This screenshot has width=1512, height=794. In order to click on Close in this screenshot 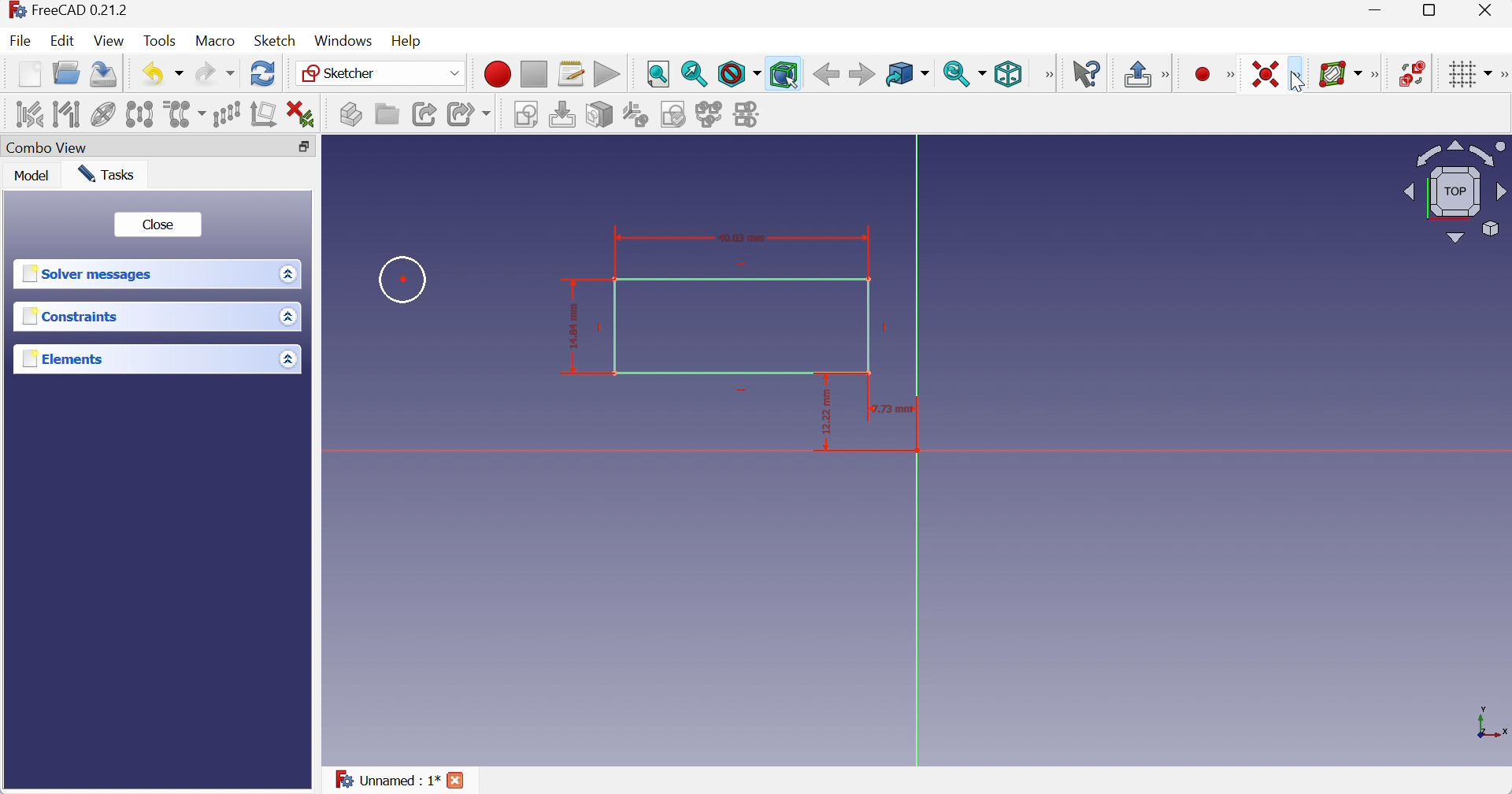, I will do `click(457, 781)`.